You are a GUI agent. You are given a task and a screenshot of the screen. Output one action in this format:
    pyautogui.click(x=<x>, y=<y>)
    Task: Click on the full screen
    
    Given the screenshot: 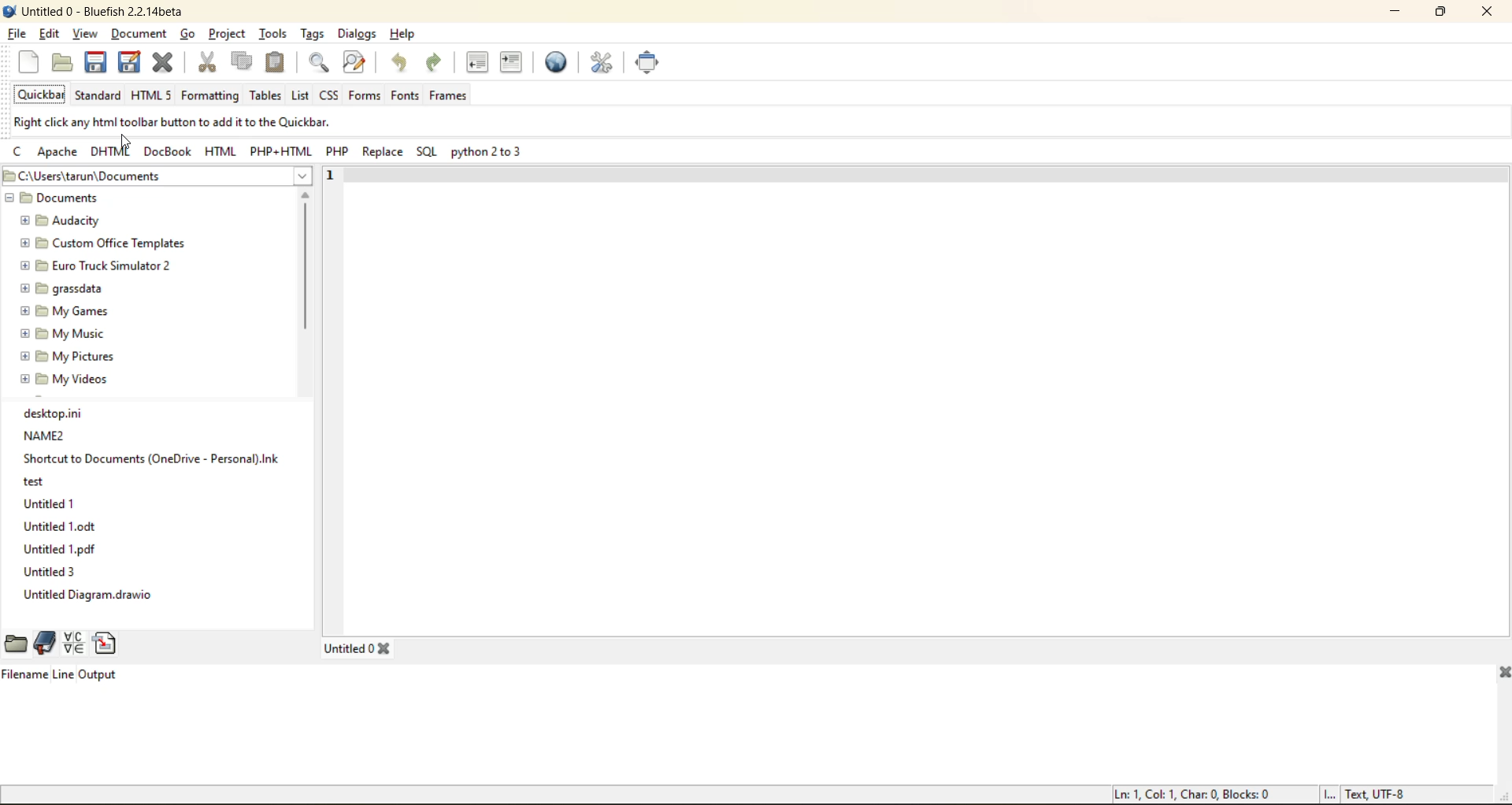 What is the action you would take?
    pyautogui.click(x=651, y=62)
    